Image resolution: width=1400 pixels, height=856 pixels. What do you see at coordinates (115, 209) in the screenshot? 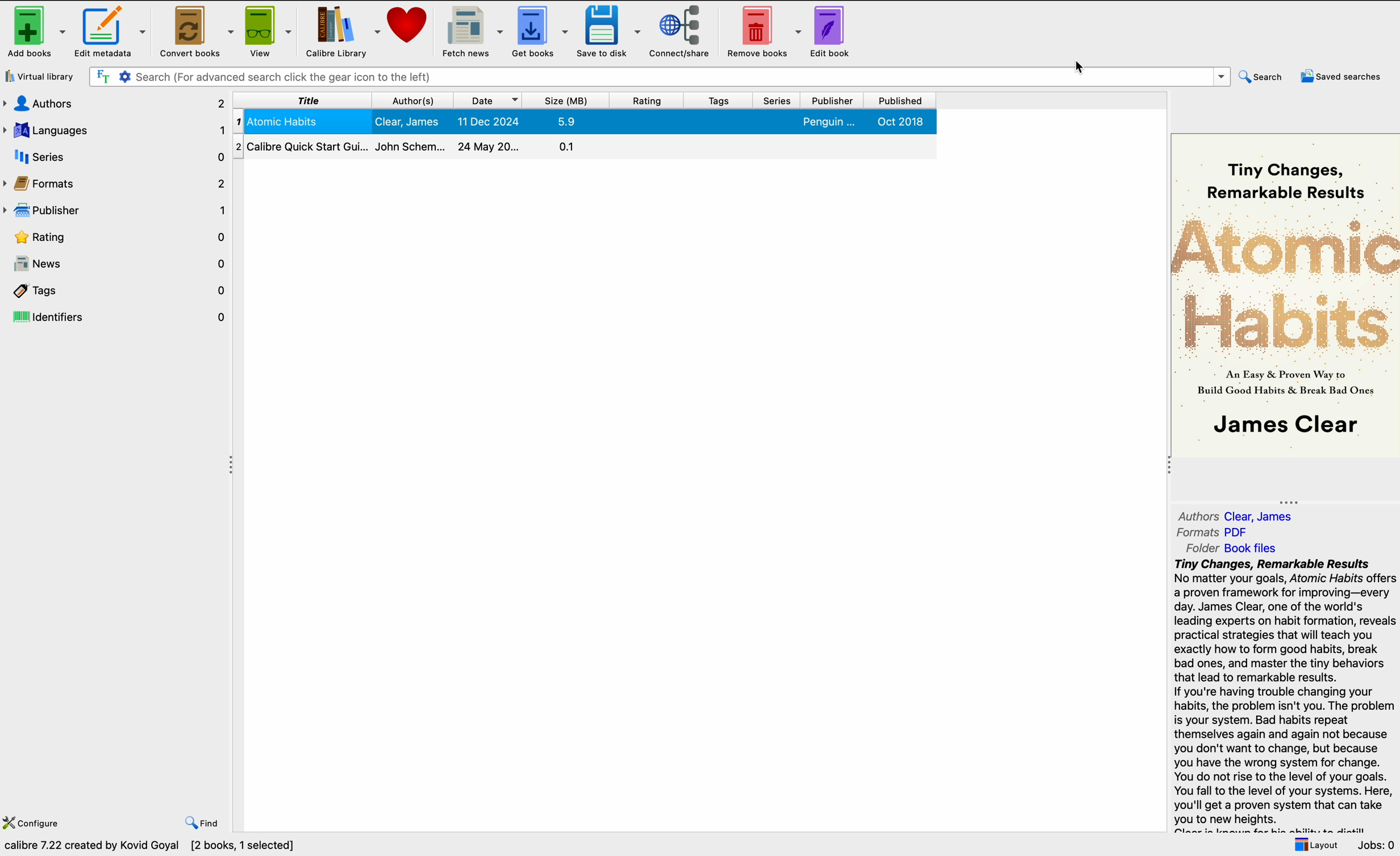
I see `publisher` at bounding box center [115, 209].